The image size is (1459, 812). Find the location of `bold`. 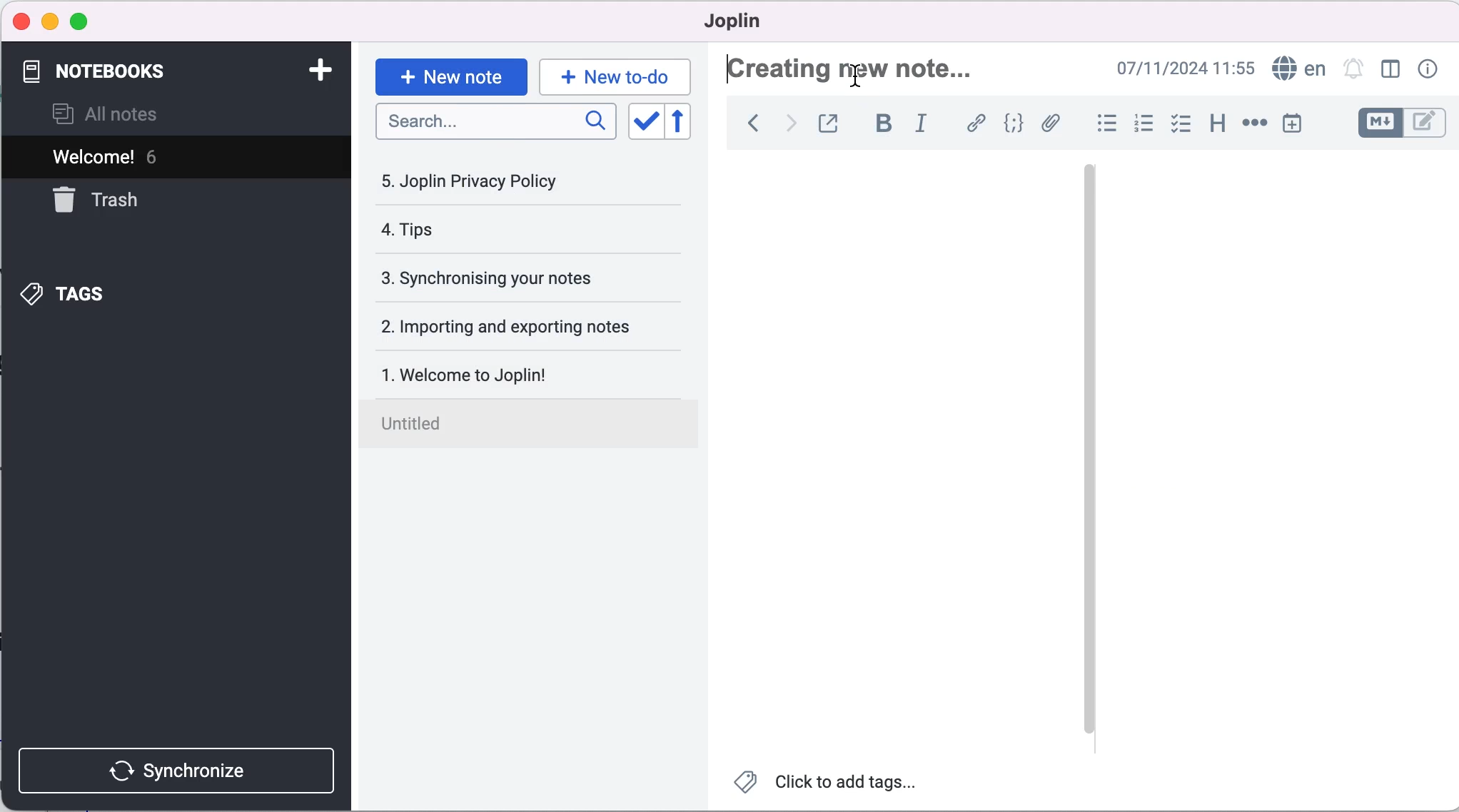

bold is located at coordinates (879, 126).